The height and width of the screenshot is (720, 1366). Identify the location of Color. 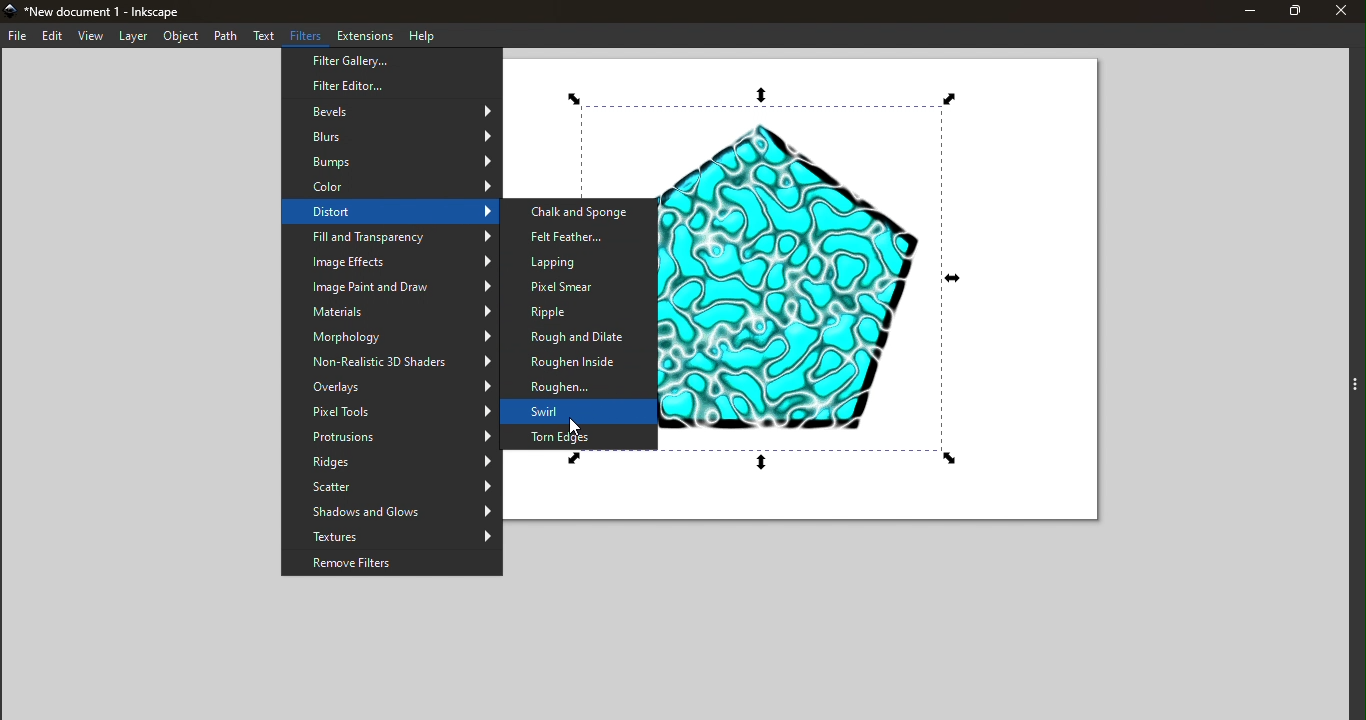
(390, 186).